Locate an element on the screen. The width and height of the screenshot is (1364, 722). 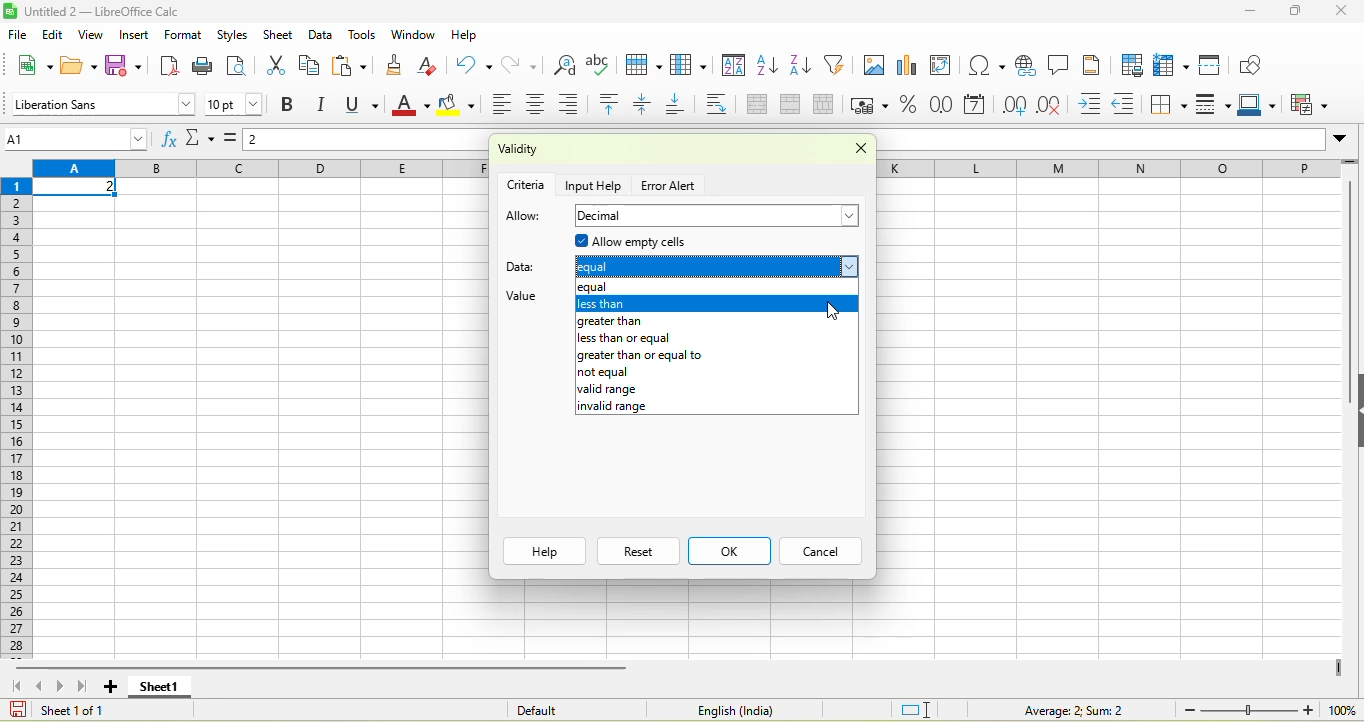
value is located at coordinates (532, 298).